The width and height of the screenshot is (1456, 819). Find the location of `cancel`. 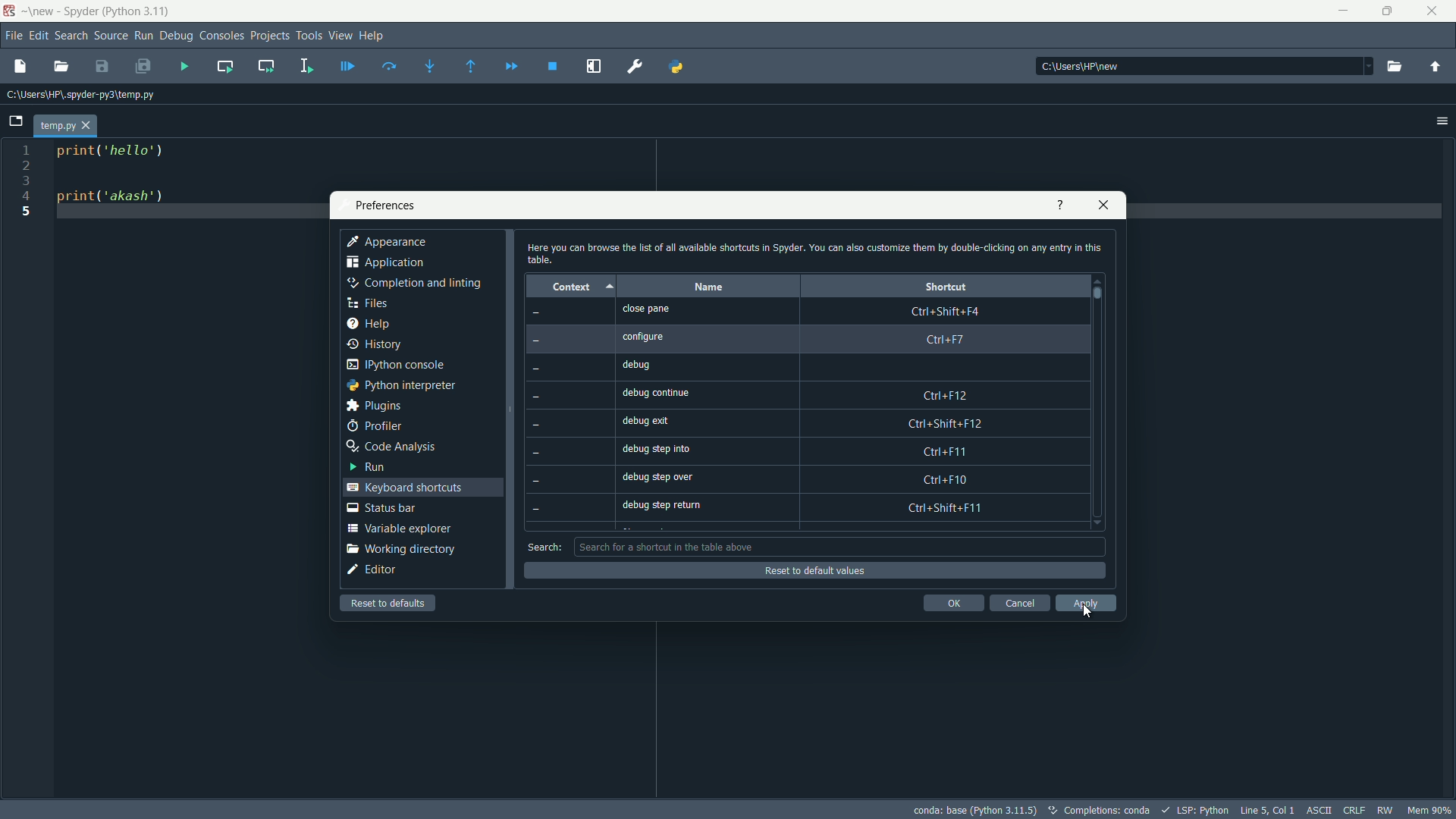

cancel is located at coordinates (1019, 603).